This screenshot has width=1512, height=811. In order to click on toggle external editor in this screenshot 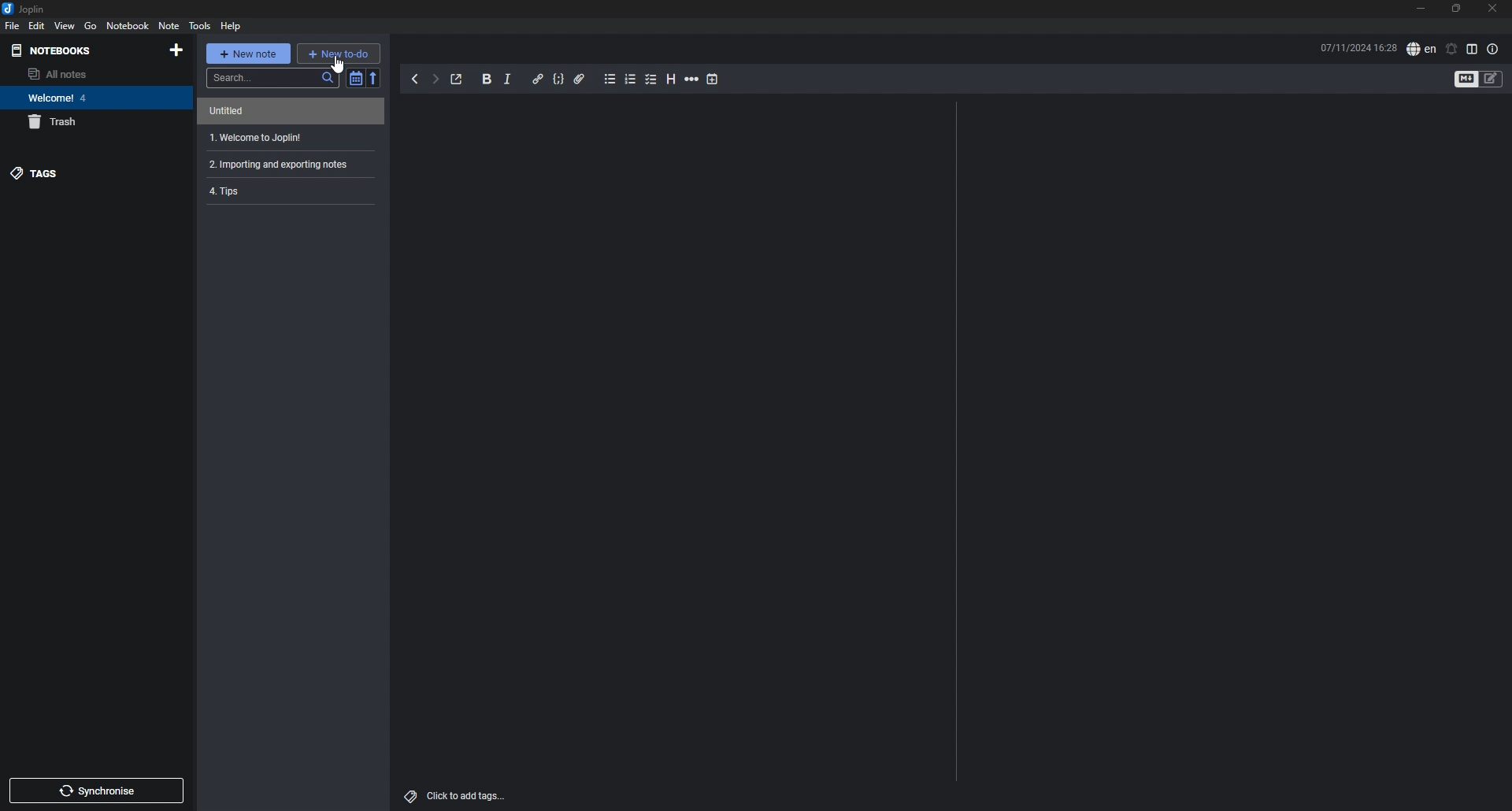, I will do `click(458, 80)`.